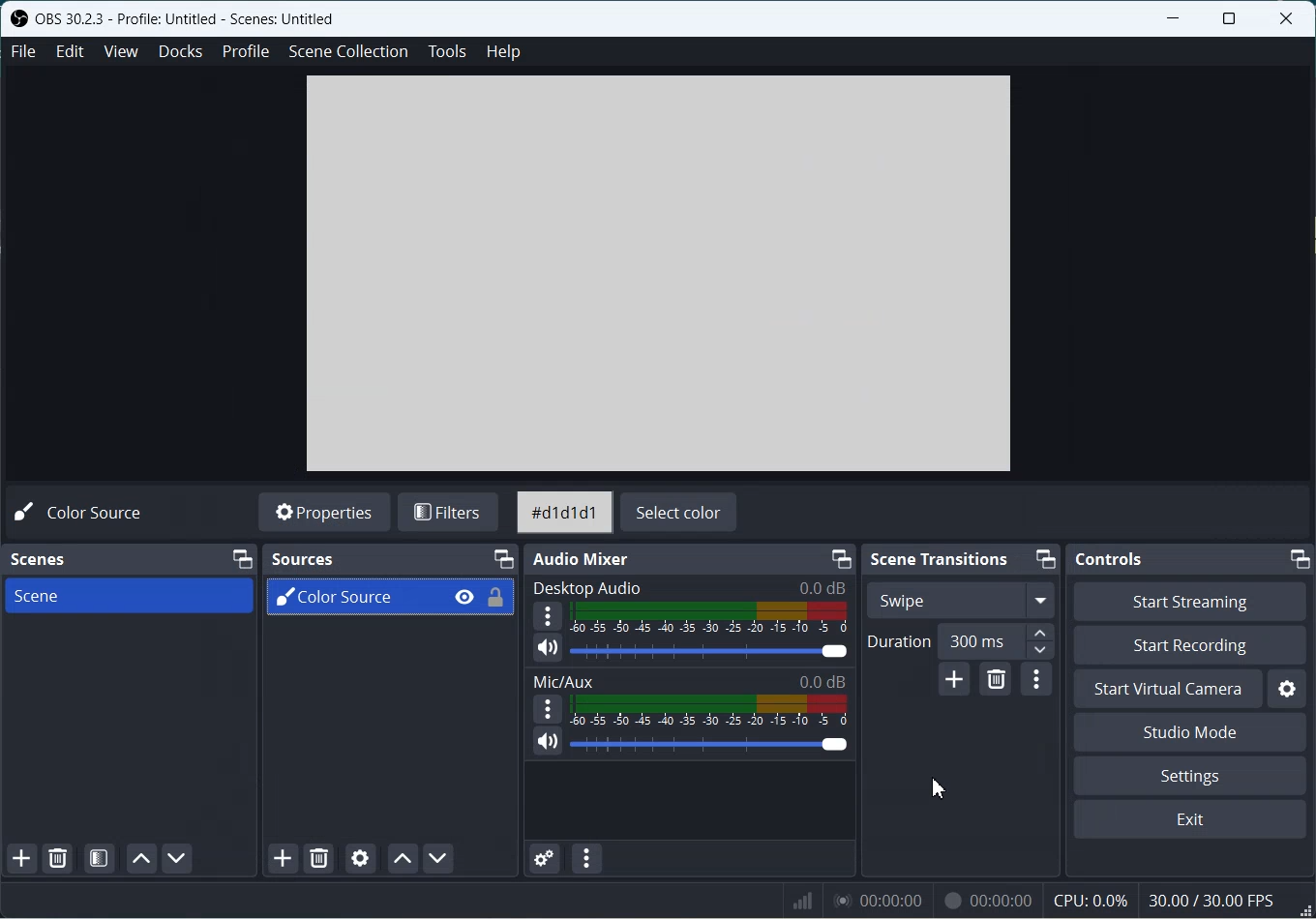  I want to click on Add configurable transition, so click(956, 681).